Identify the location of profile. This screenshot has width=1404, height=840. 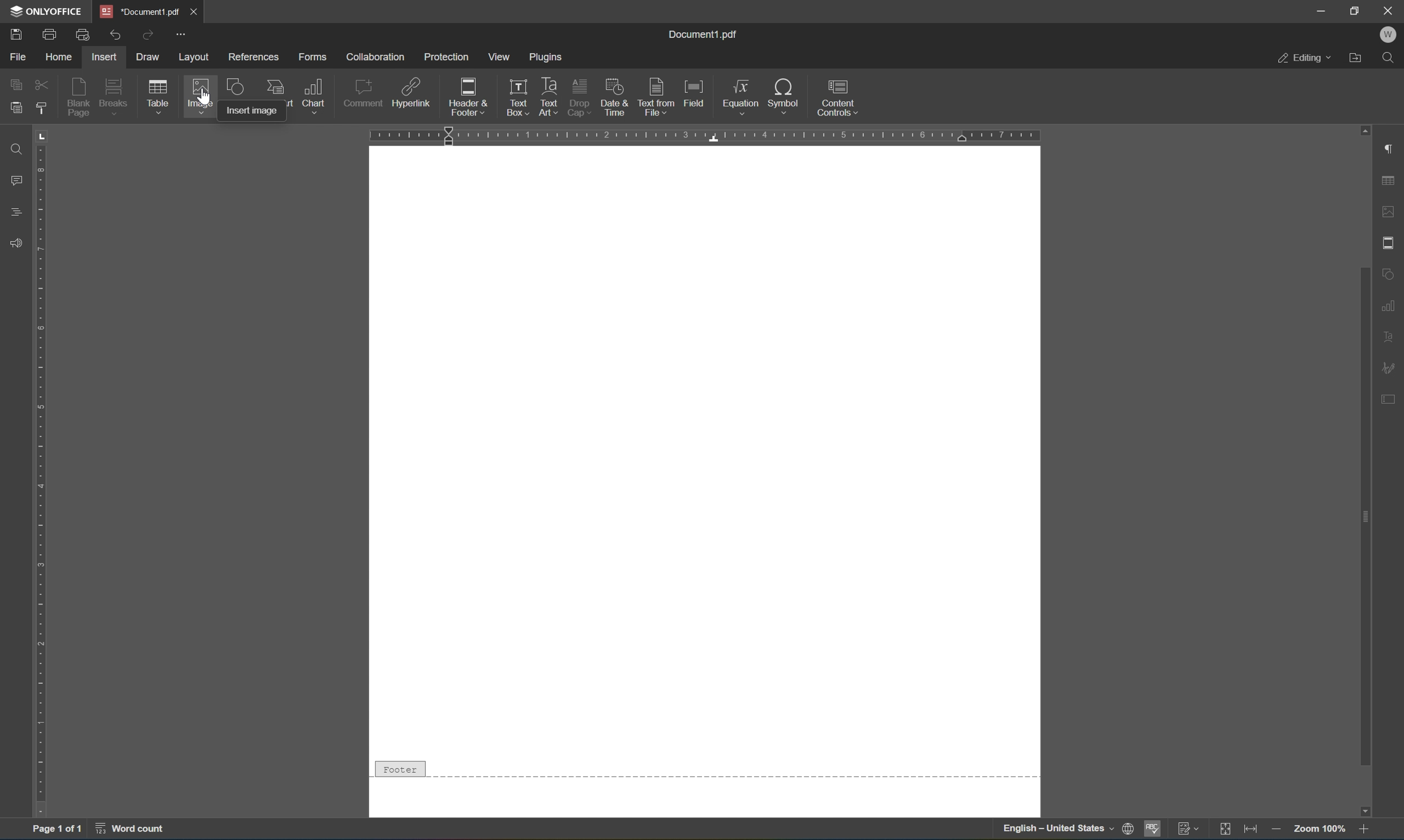
(1391, 36).